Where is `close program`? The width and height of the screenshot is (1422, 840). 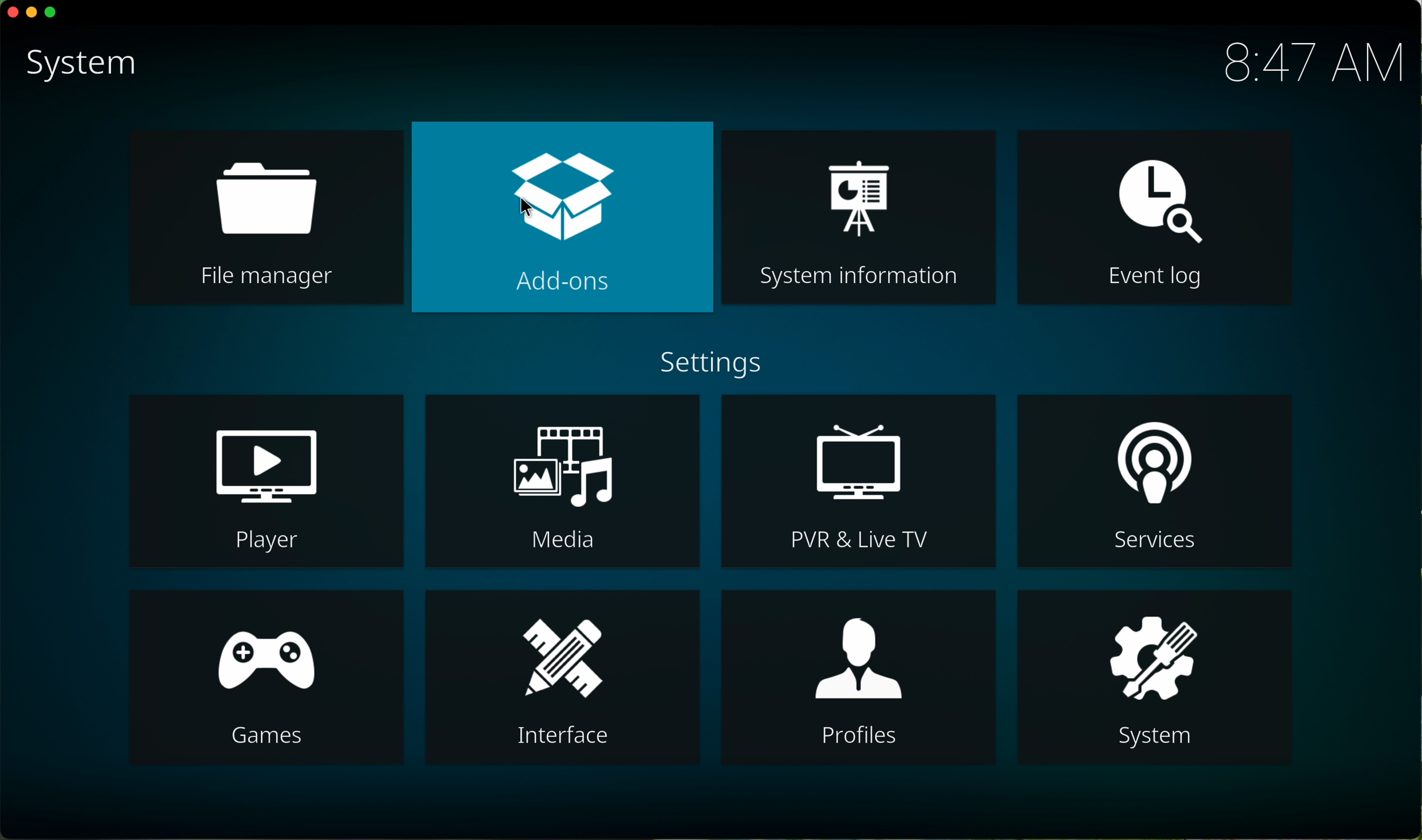 close program is located at coordinates (11, 13).